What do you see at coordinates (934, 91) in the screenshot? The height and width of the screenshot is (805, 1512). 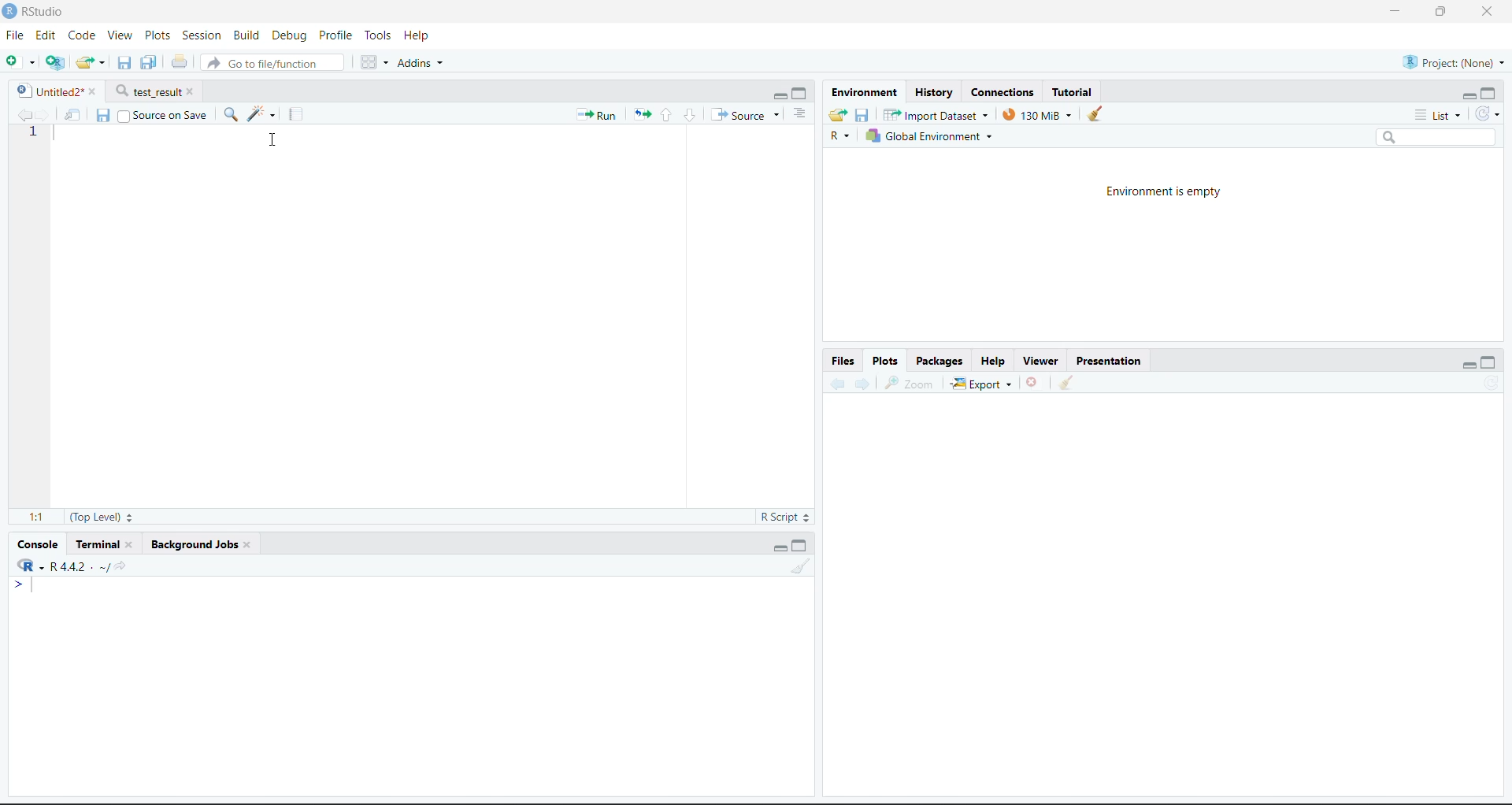 I see `History` at bounding box center [934, 91].